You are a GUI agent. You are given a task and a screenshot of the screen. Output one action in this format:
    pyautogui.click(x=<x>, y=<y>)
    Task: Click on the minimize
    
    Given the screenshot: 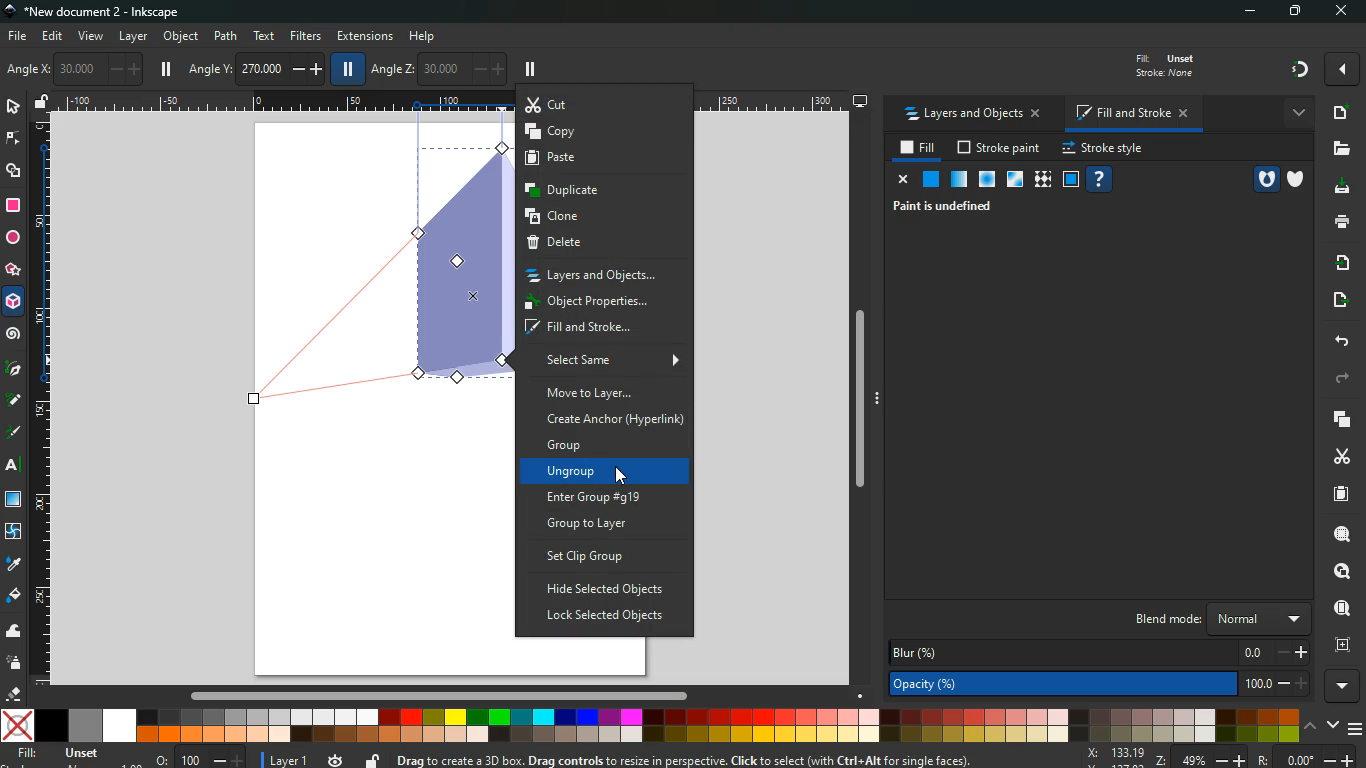 What is the action you would take?
    pyautogui.click(x=1255, y=12)
    